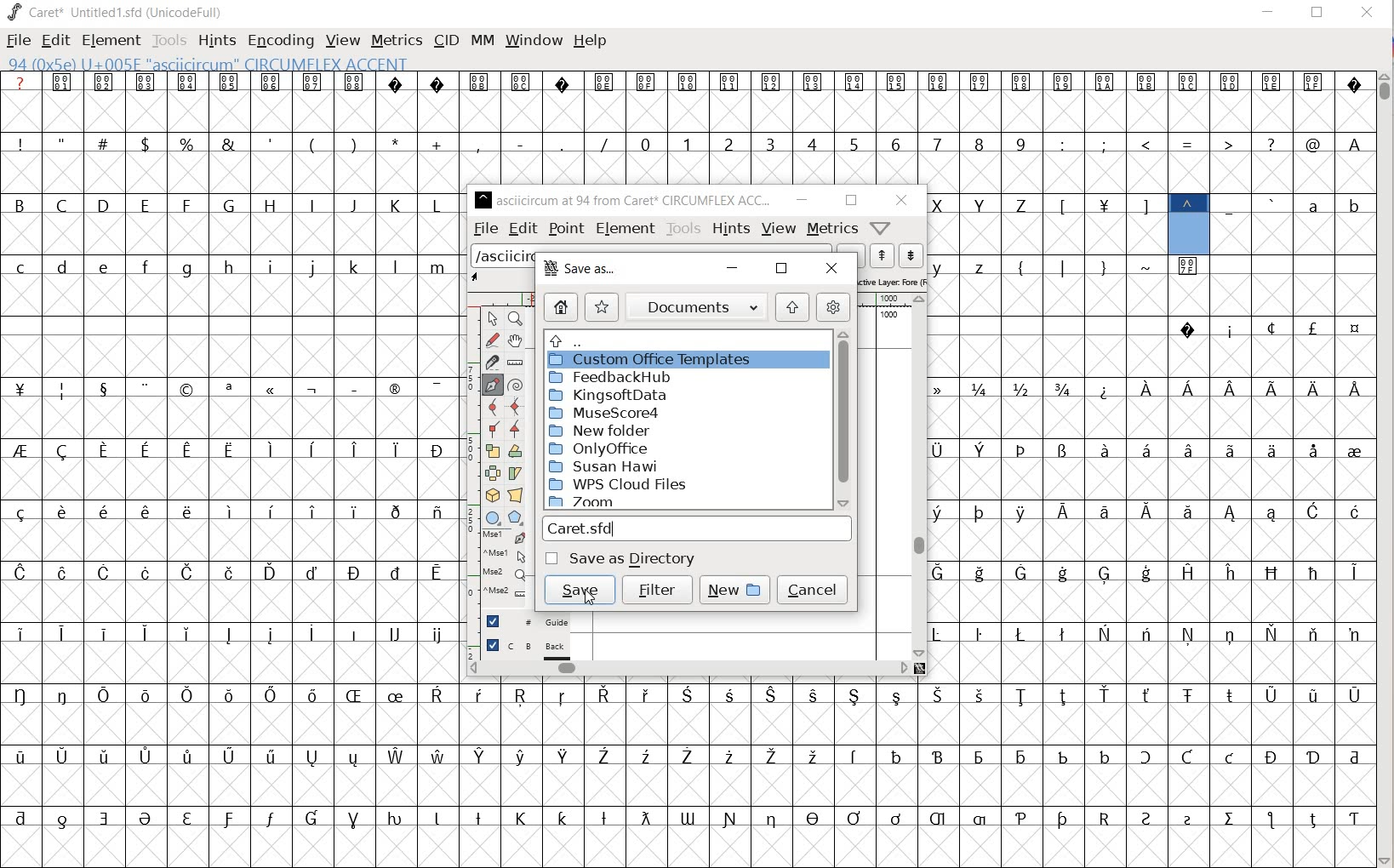 The image size is (1394, 868). Describe the element at coordinates (117, 11) in the screenshot. I see `caret* untitled1.sfd (unicodefull)` at that location.